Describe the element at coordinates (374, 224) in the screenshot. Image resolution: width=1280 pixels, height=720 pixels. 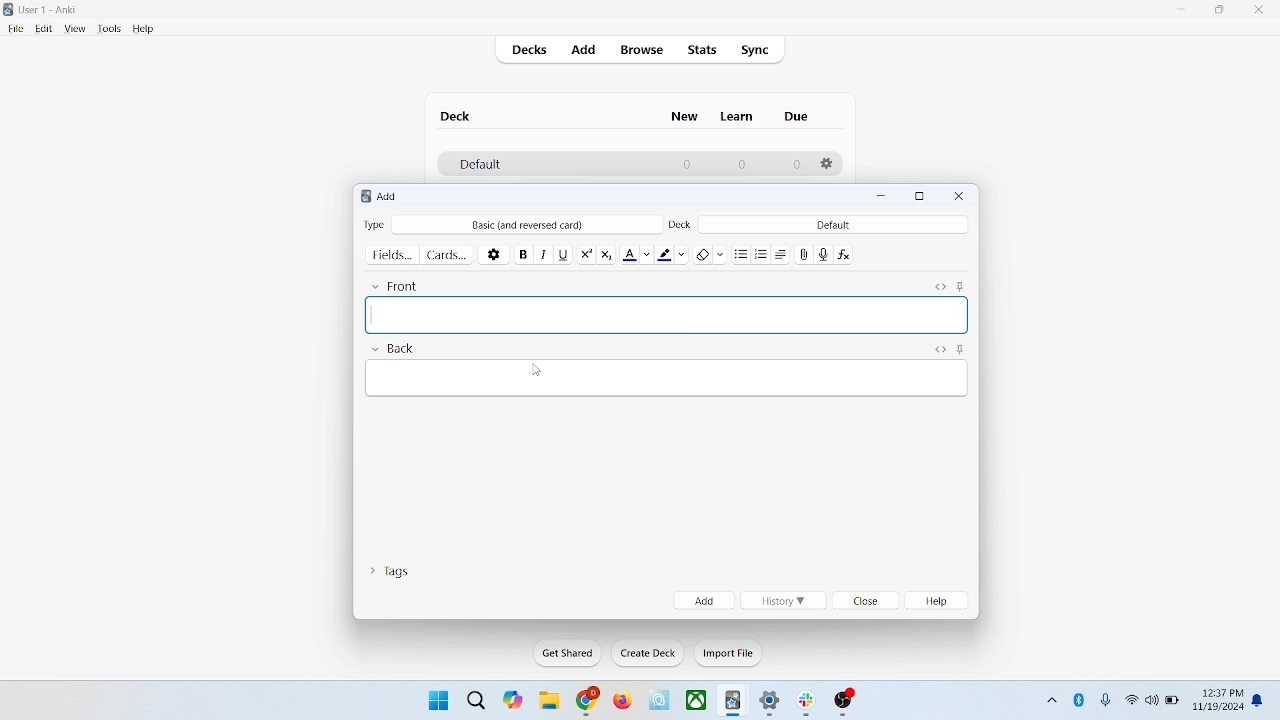
I see `type` at that location.